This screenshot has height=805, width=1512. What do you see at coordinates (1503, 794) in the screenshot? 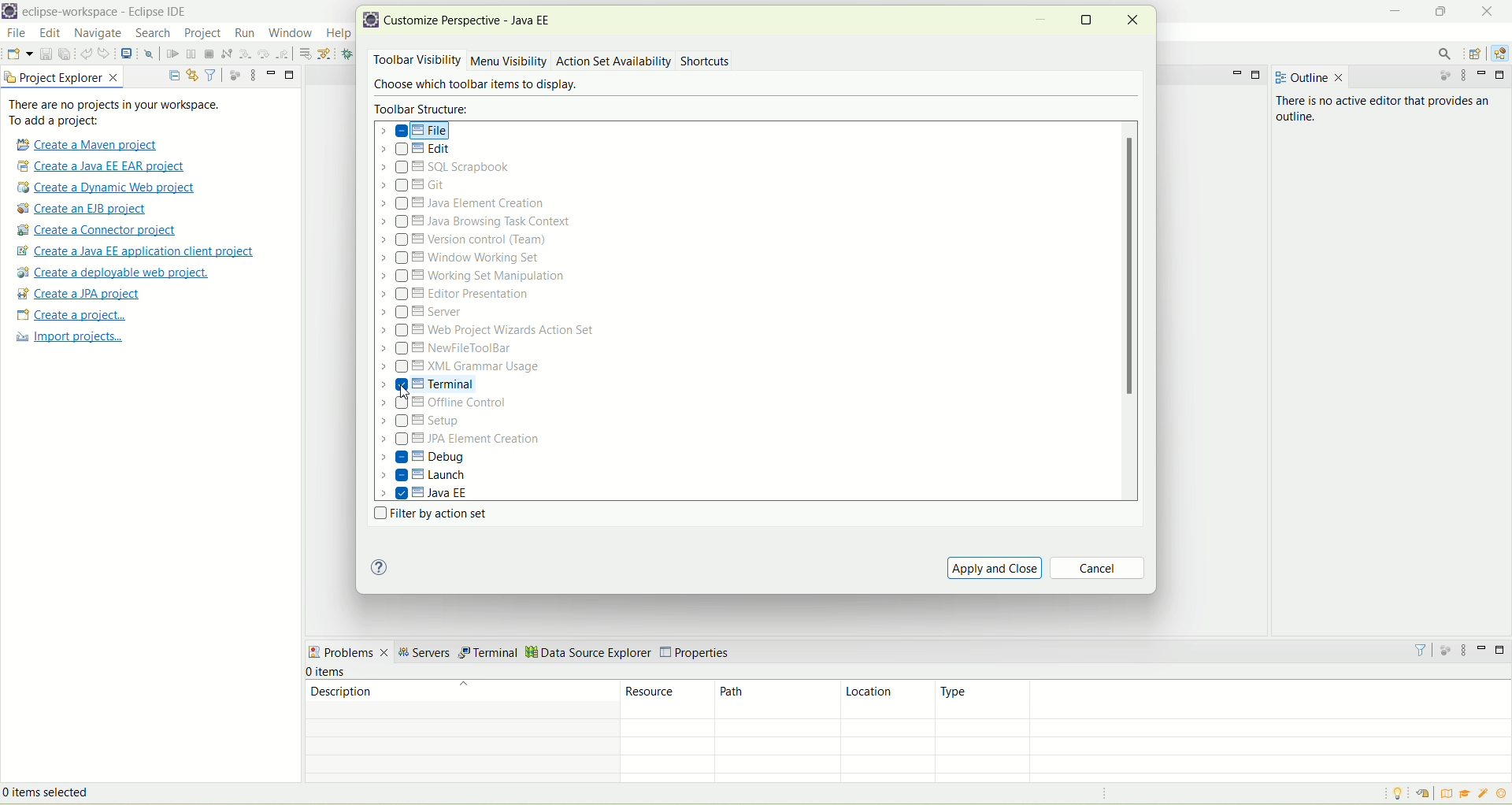
I see `what's new` at bounding box center [1503, 794].